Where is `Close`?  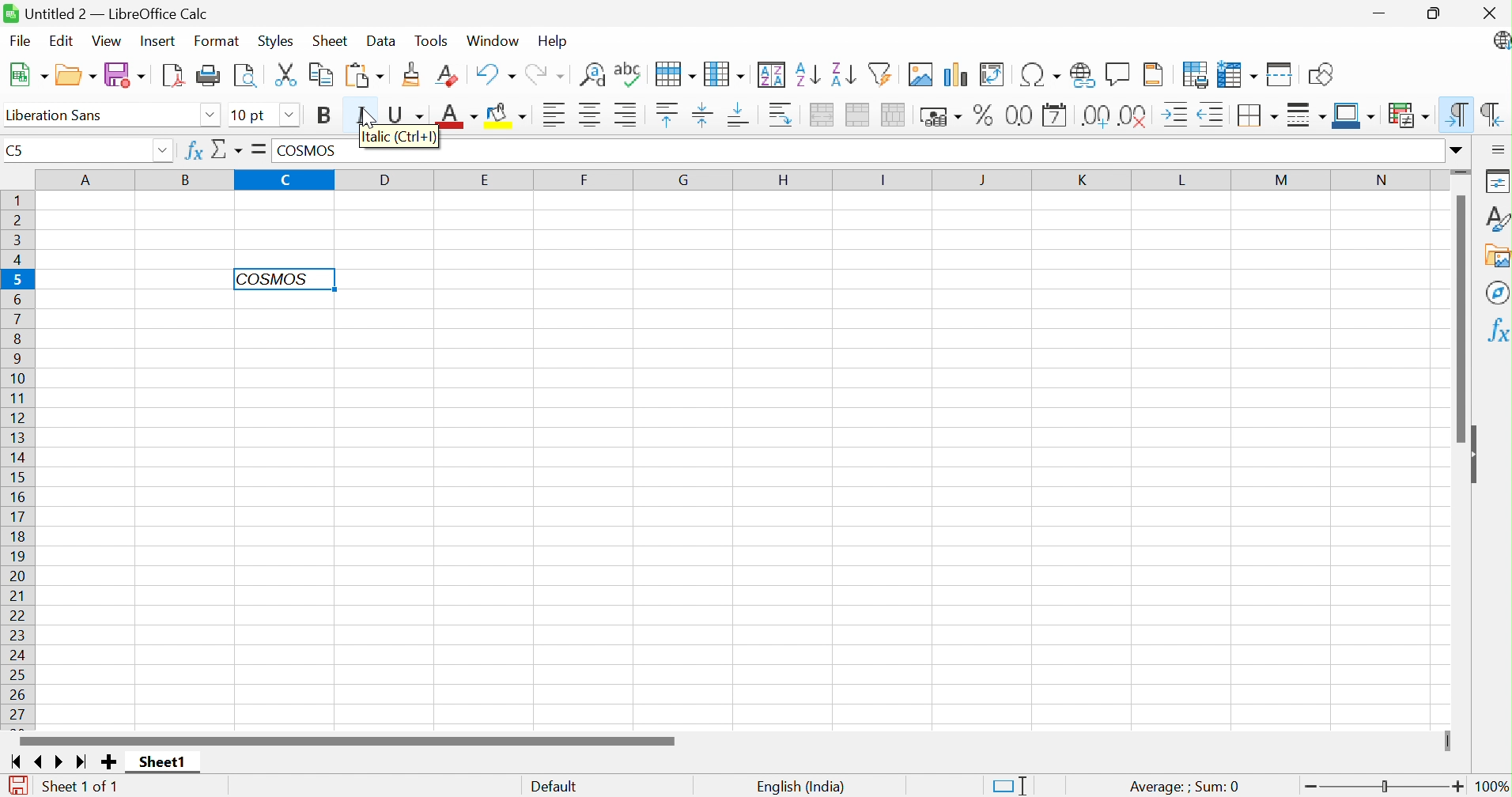
Close is located at coordinates (1488, 13).